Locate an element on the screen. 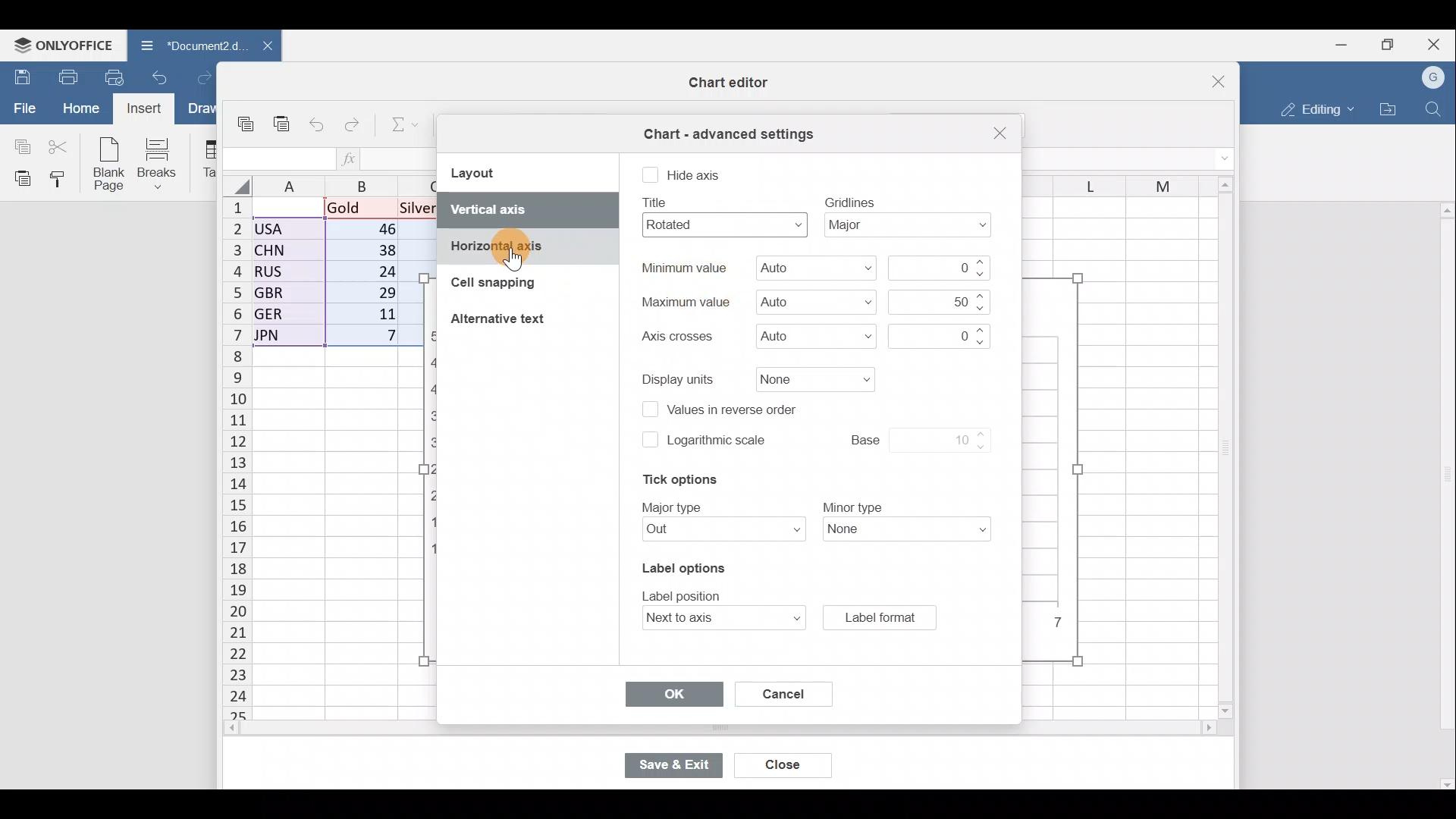 The width and height of the screenshot is (1456, 819). Axis crosses is located at coordinates (815, 334).